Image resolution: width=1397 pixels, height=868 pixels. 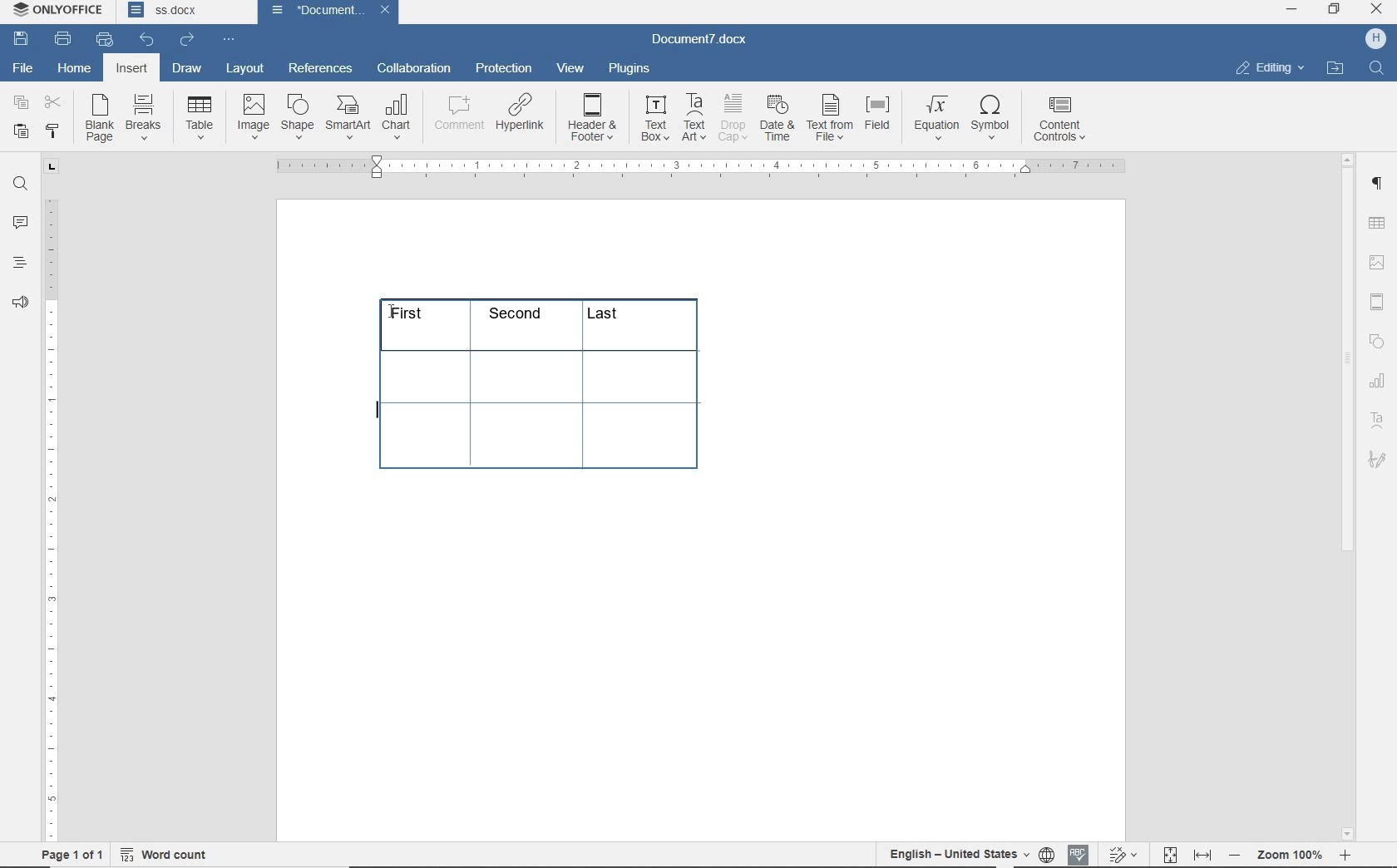 I want to click on copy, so click(x=20, y=104).